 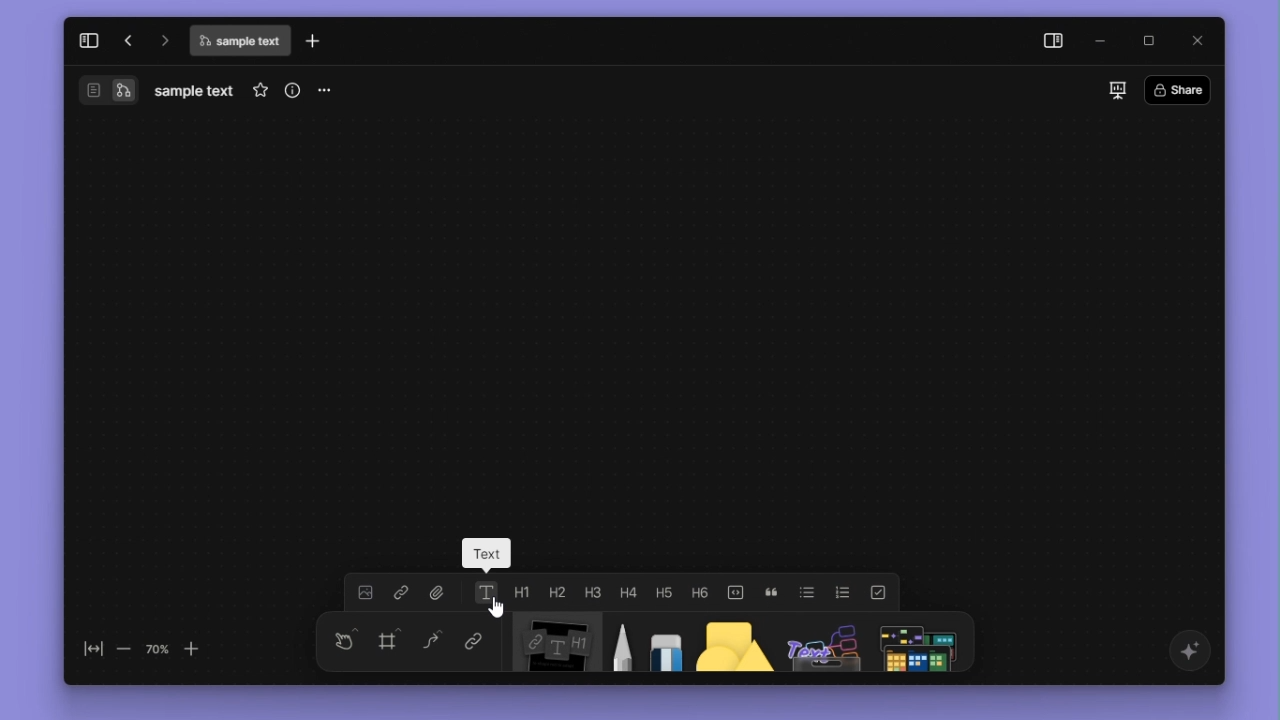 What do you see at coordinates (256, 90) in the screenshot?
I see `favourites` at bounding box center [256, 90].